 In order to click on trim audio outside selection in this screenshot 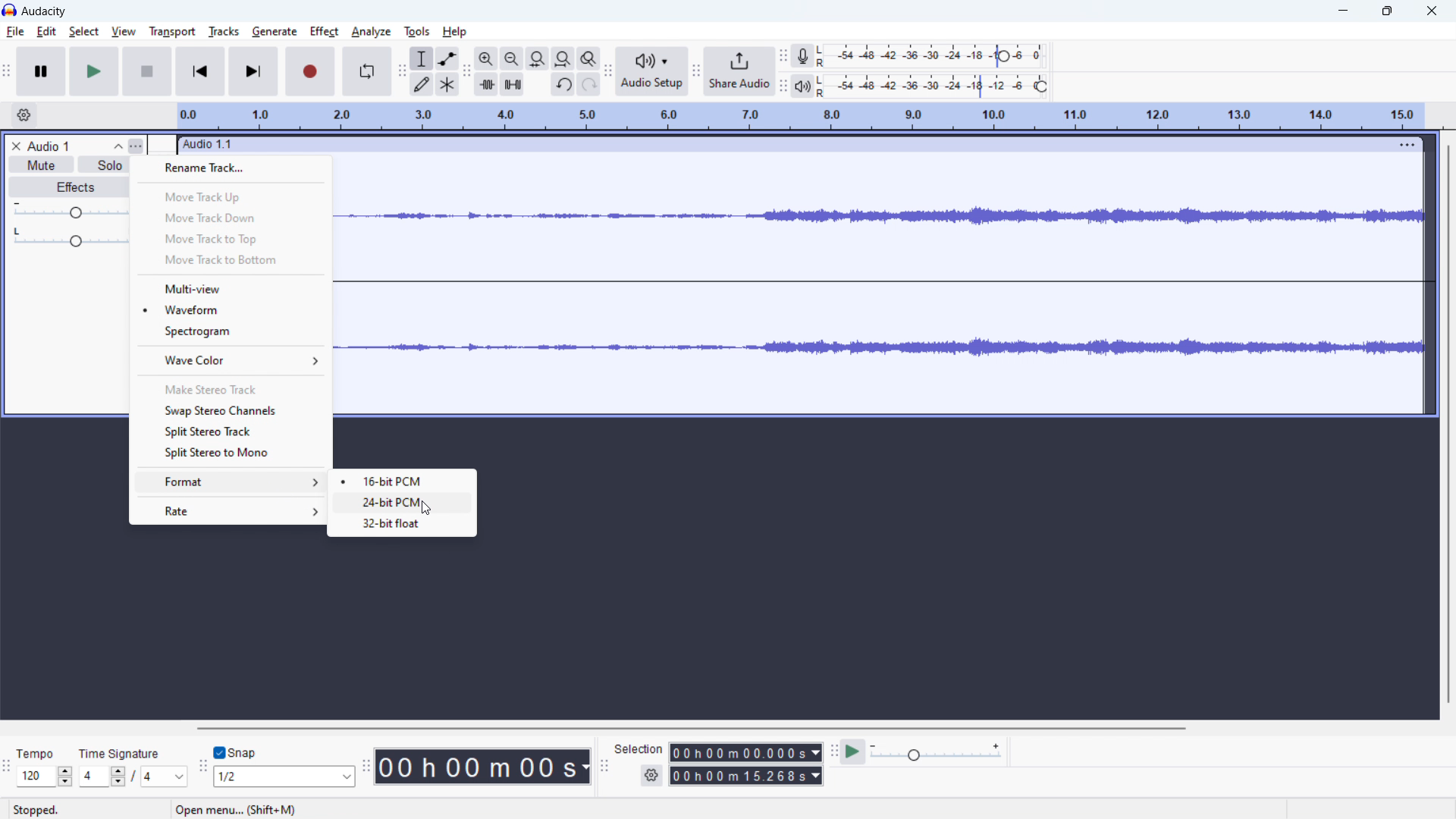, I will do `click(485, 83)`.